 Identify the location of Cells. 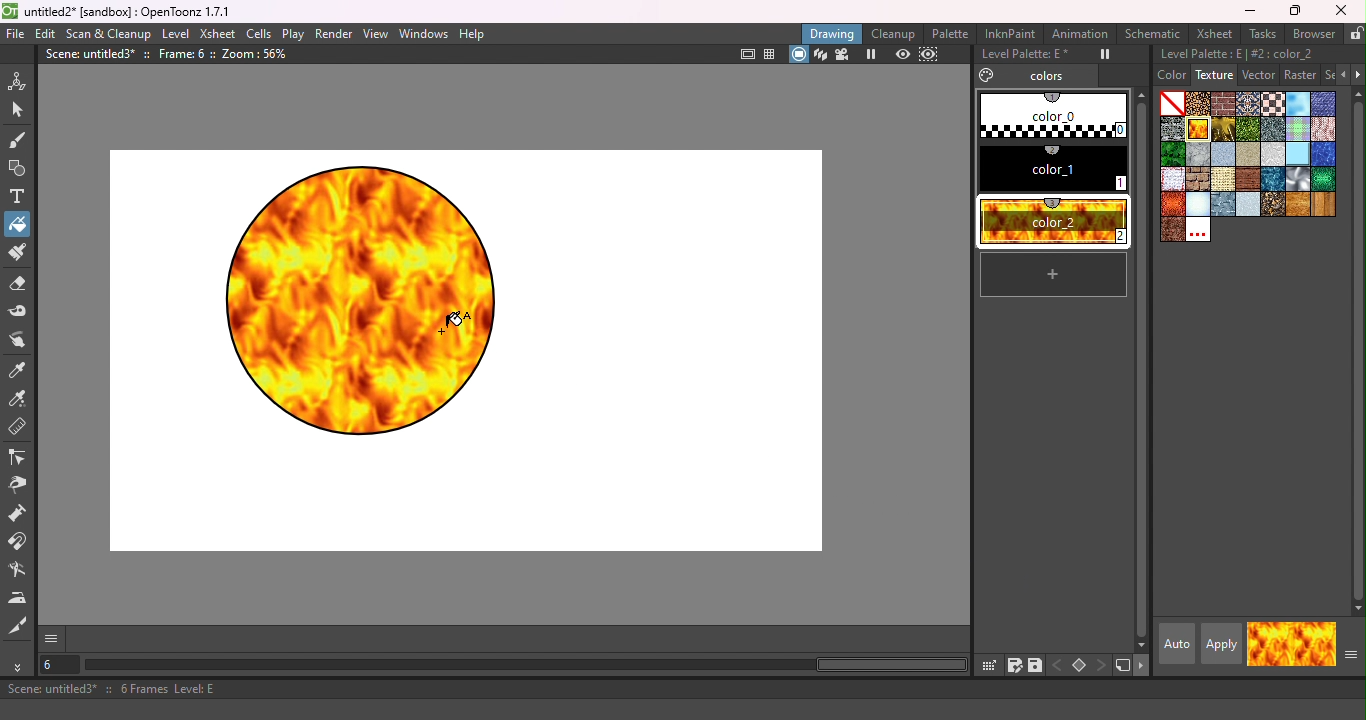
(258, 34).